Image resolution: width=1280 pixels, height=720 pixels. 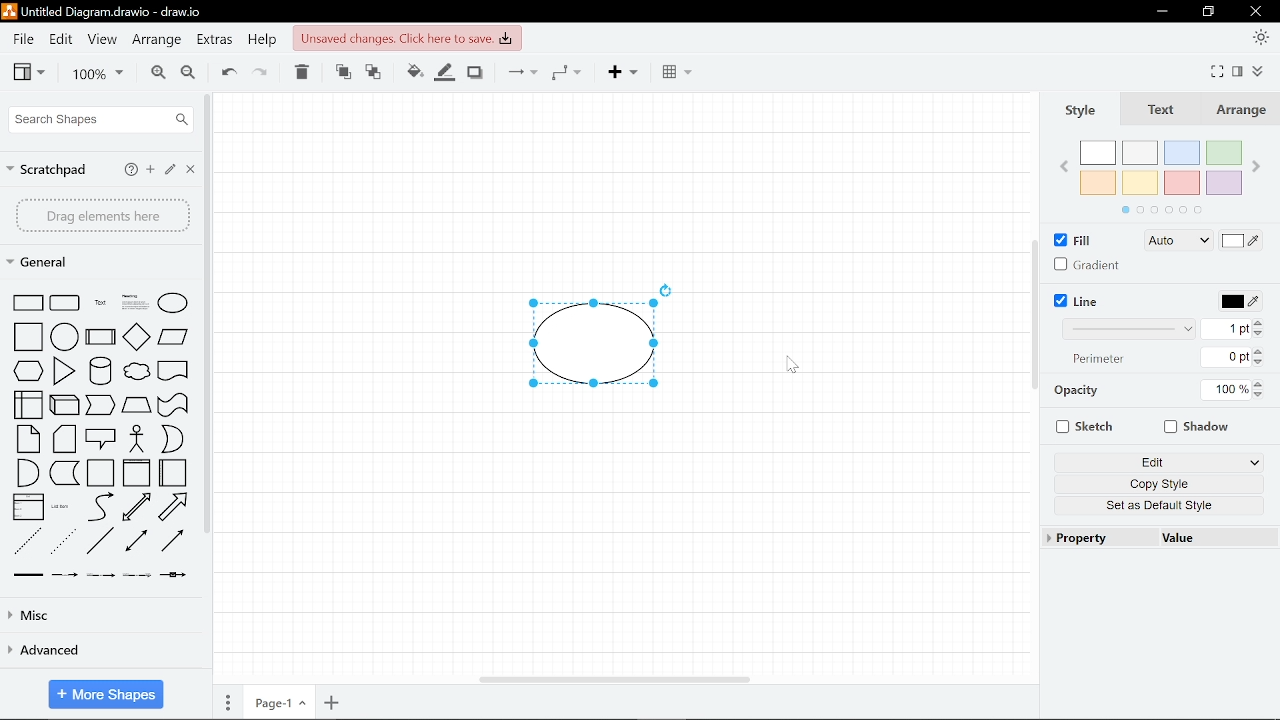 What do you see at coordinates (65, 336) in the screenshot?
I see `circle` at bounding box center [65, 336].